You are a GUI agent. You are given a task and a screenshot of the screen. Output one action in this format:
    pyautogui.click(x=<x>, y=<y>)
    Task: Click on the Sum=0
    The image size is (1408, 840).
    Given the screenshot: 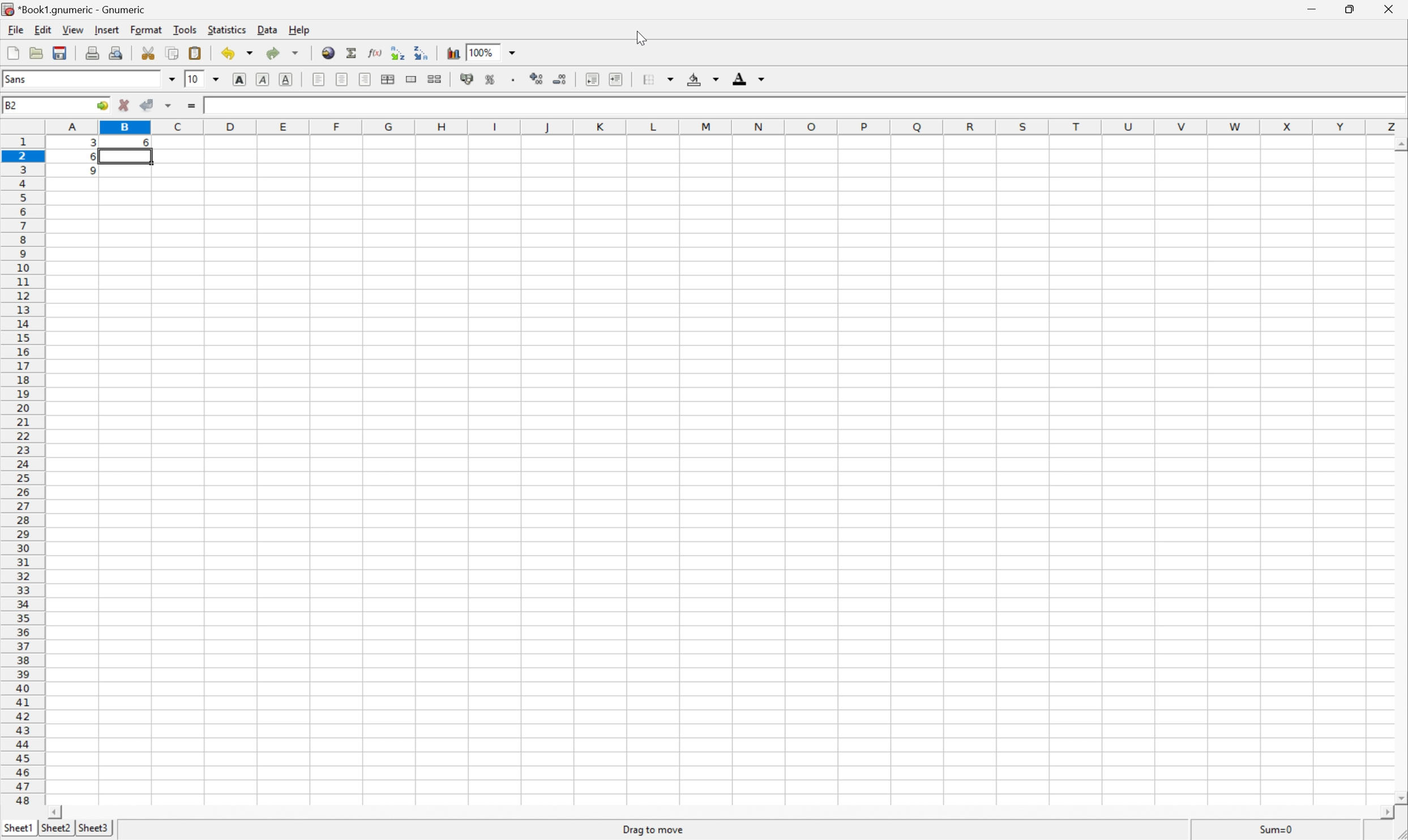 What is the action you would take?
    pyautogui.click(x=1278, y=829)
    